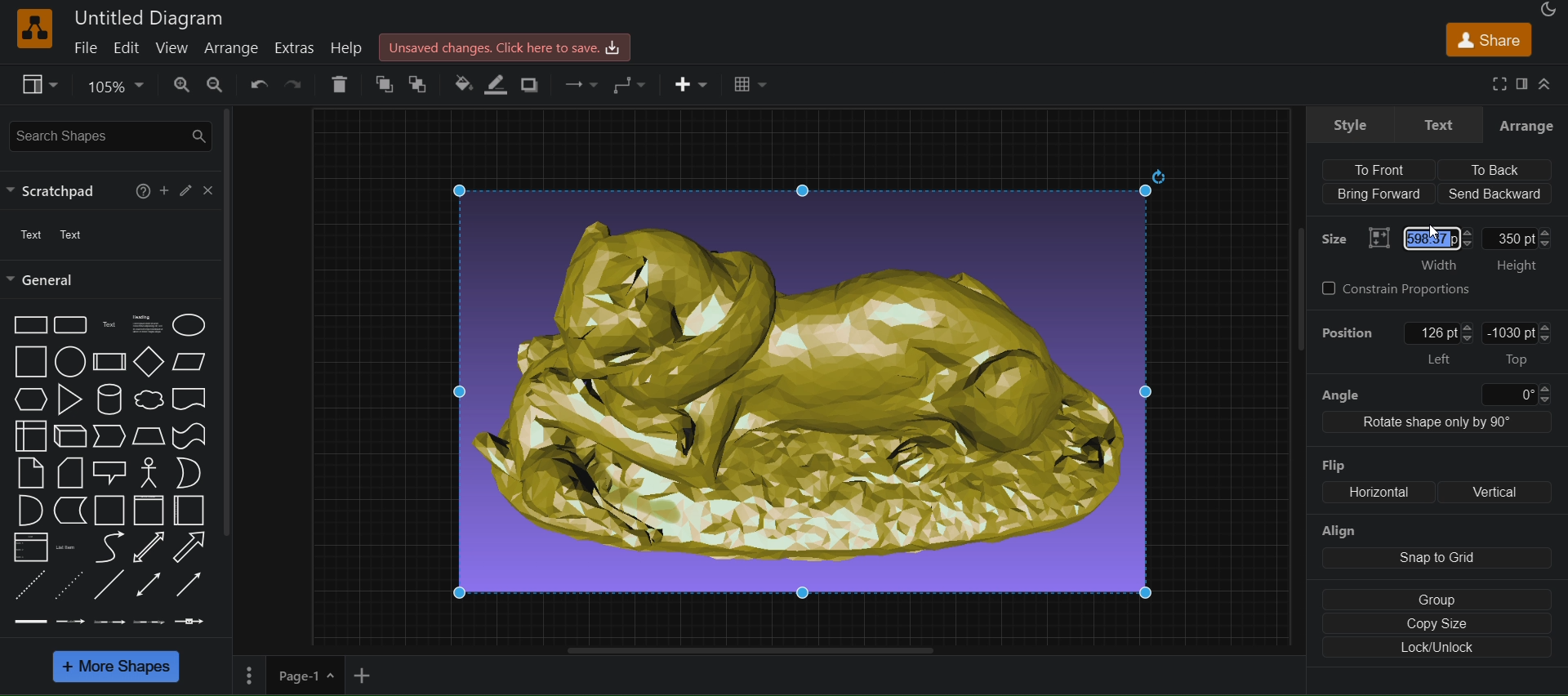 Image resolution: width=1568 pixels, height=696 pixels. Describe the element at coordinates (536, 84) in the screenshot. I see `shadow` at that location.